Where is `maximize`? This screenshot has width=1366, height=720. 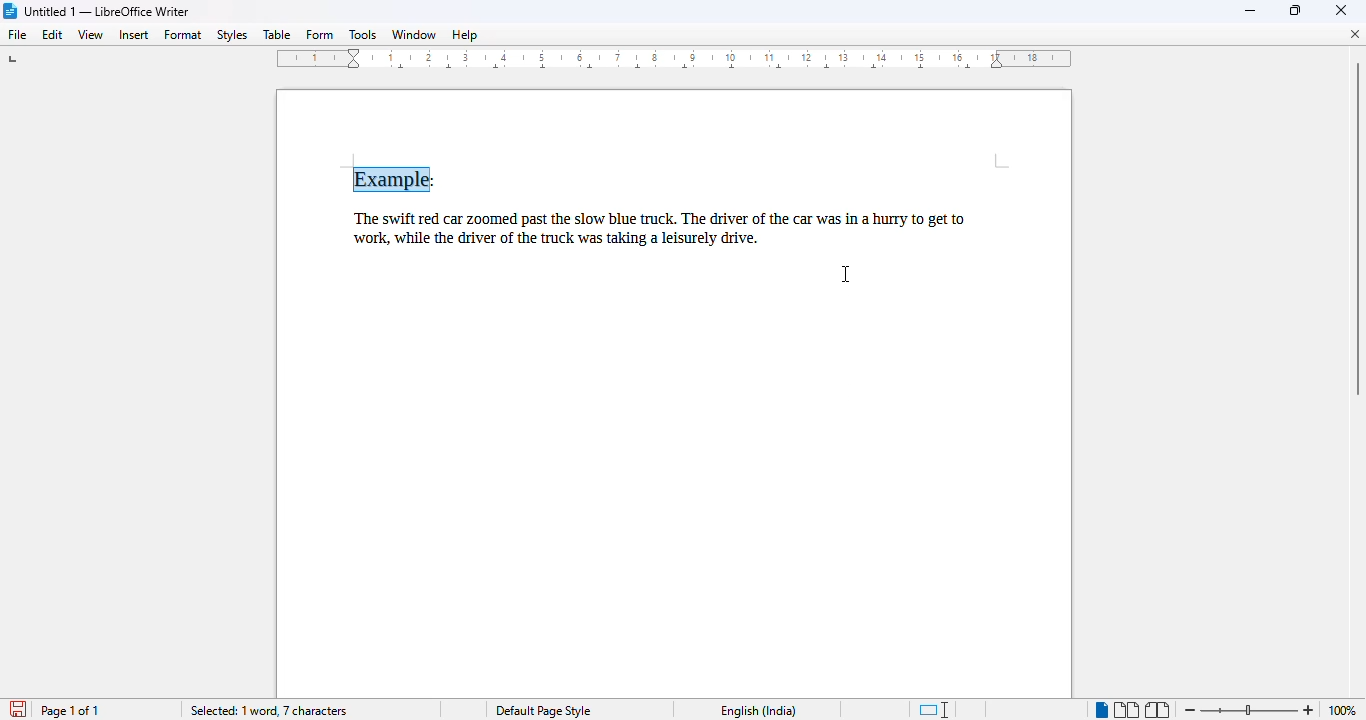 maximize is located at coordinates (1295, 9).